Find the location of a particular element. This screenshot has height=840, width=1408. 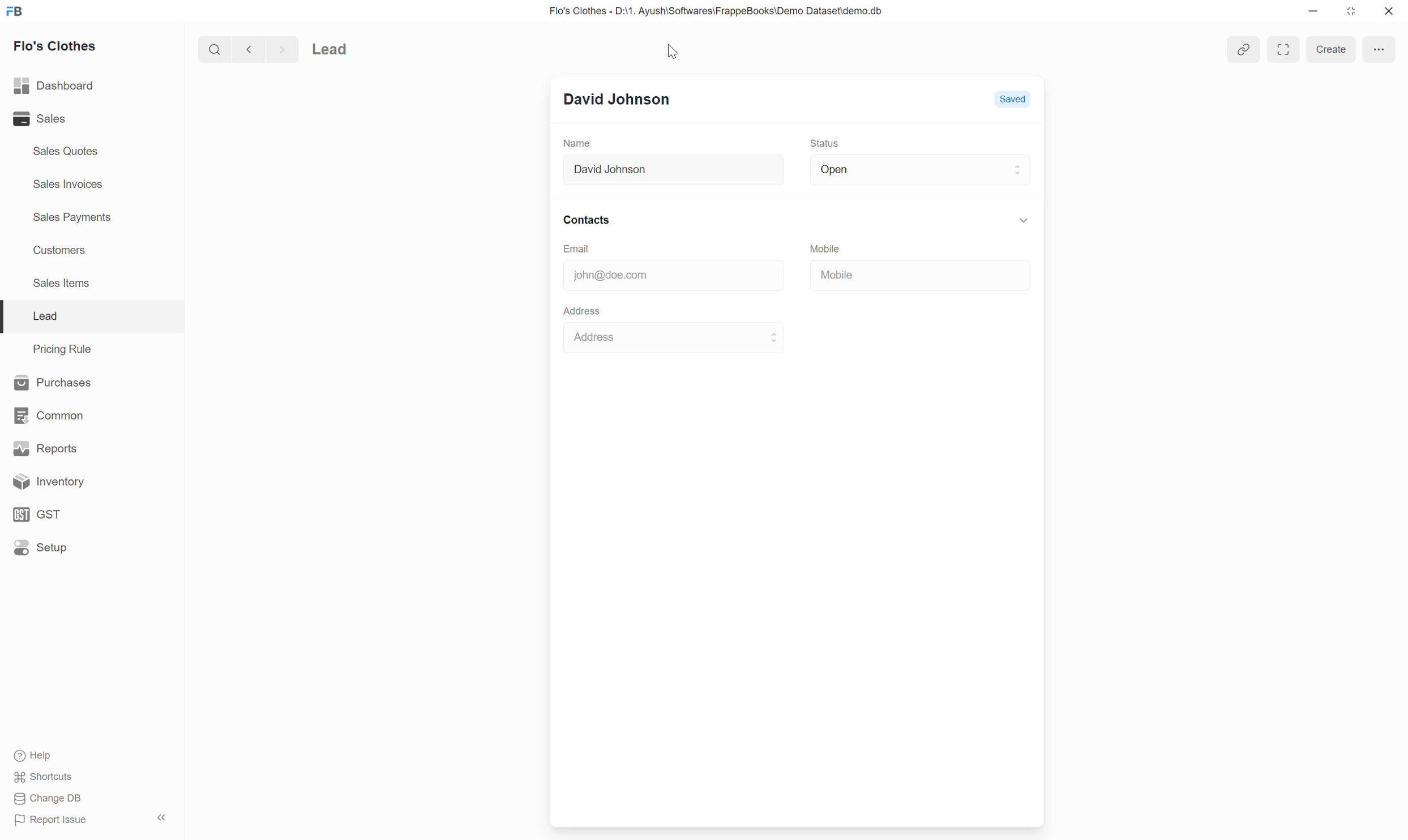

 Reports is located at coordinates (41, 447).